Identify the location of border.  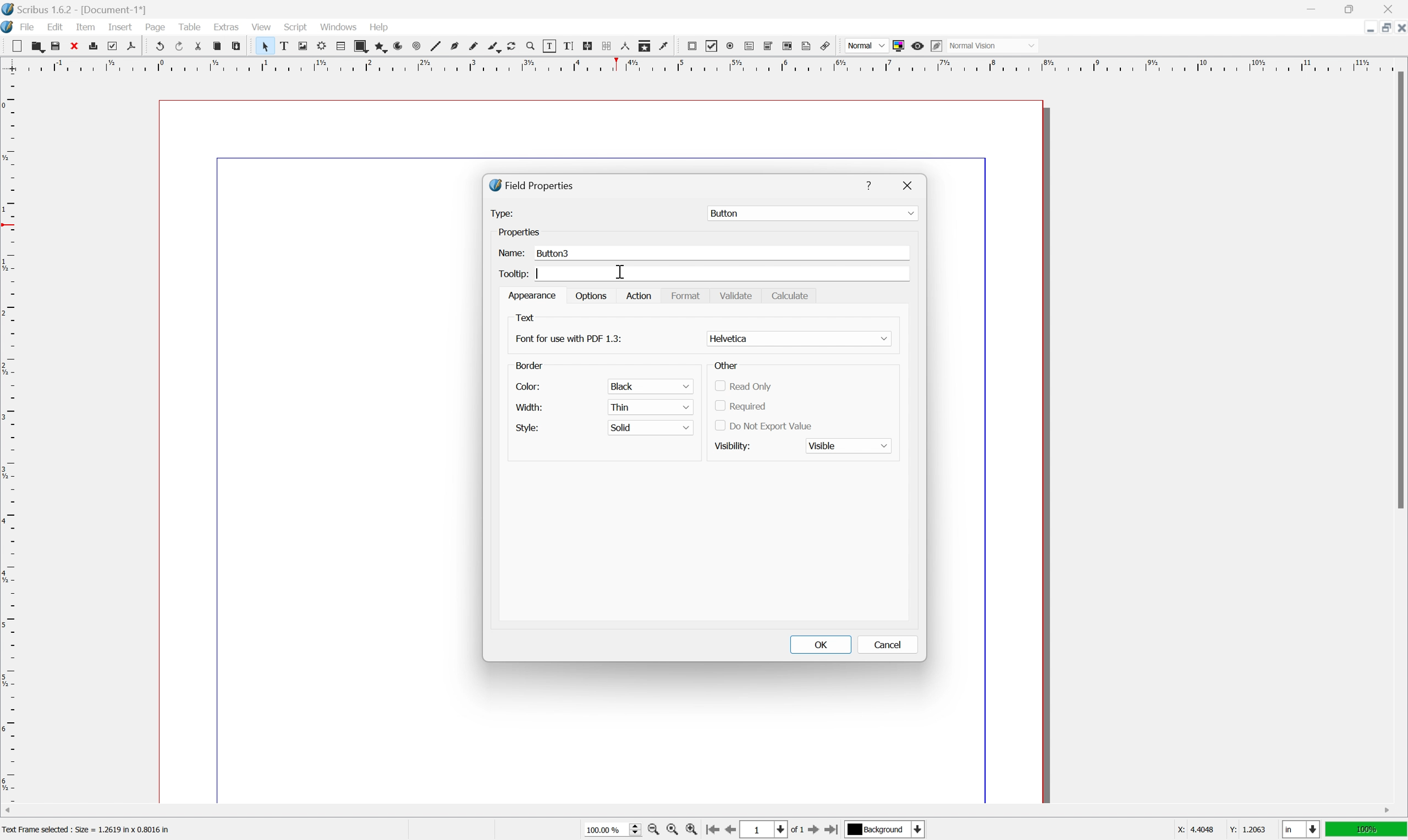
(530, 364).